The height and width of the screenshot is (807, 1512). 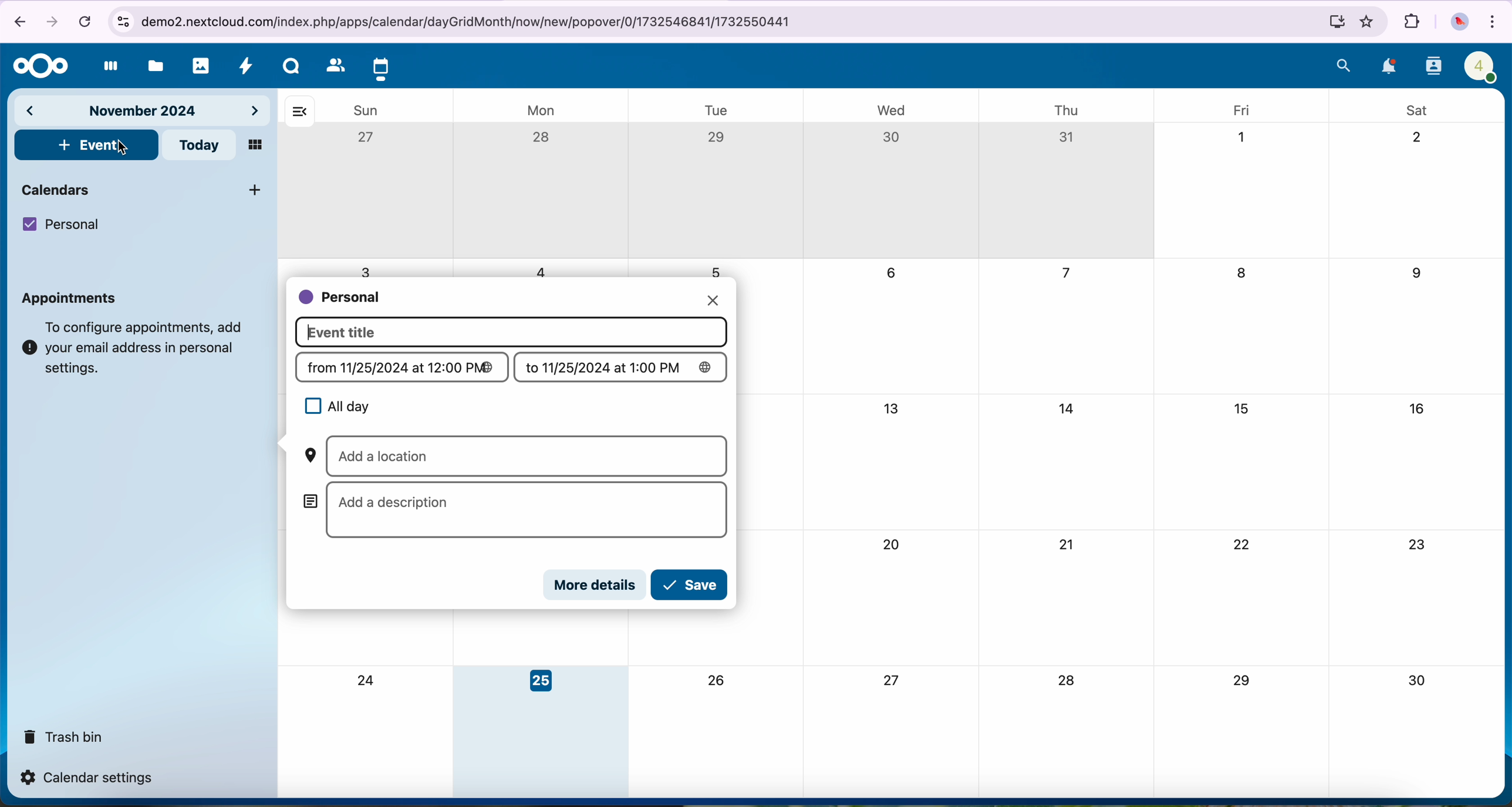 I want to click on photos, so click(x=201, y=66).